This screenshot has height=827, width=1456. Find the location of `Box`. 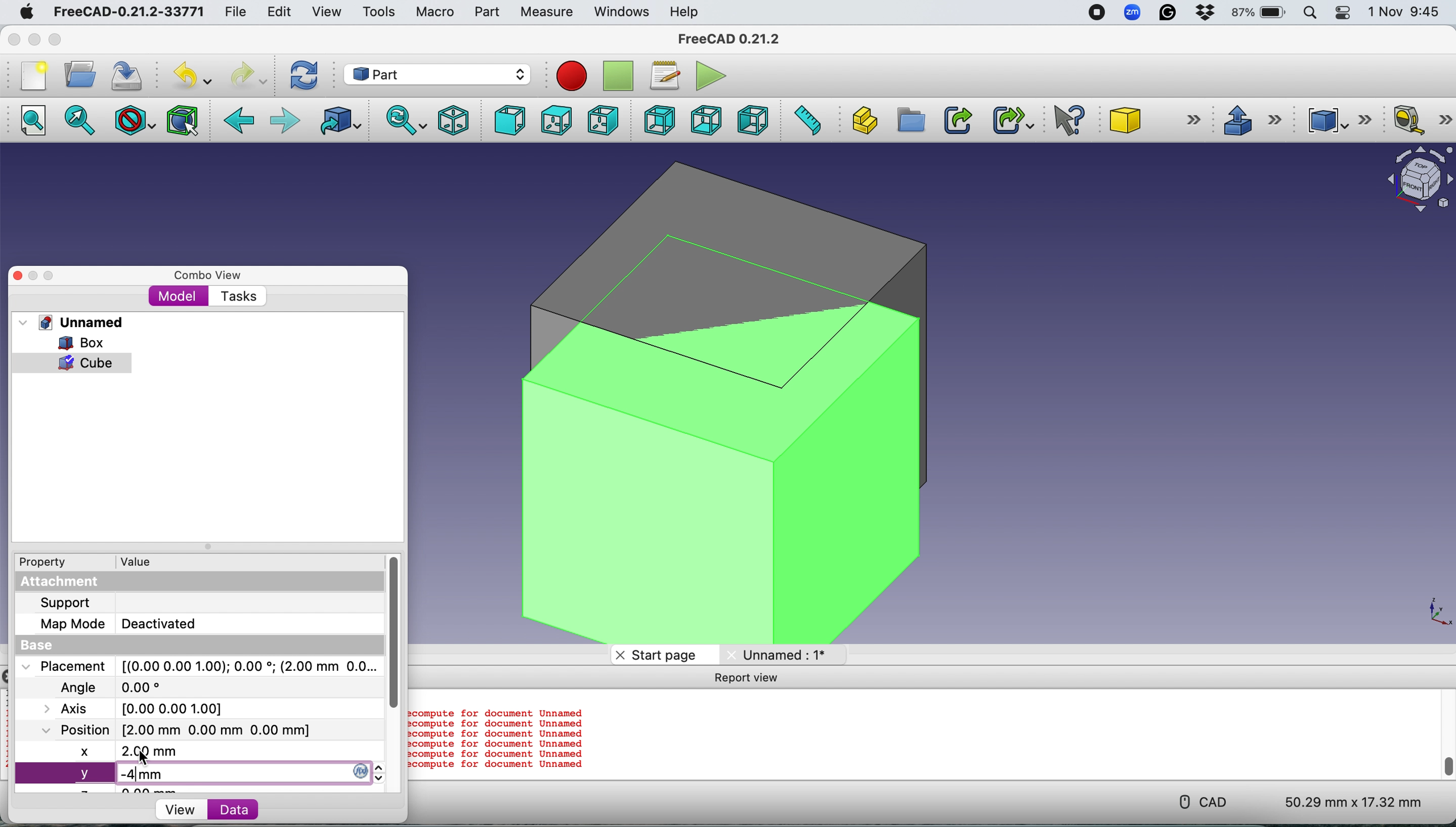

Box is located at coordinates (70, 343).